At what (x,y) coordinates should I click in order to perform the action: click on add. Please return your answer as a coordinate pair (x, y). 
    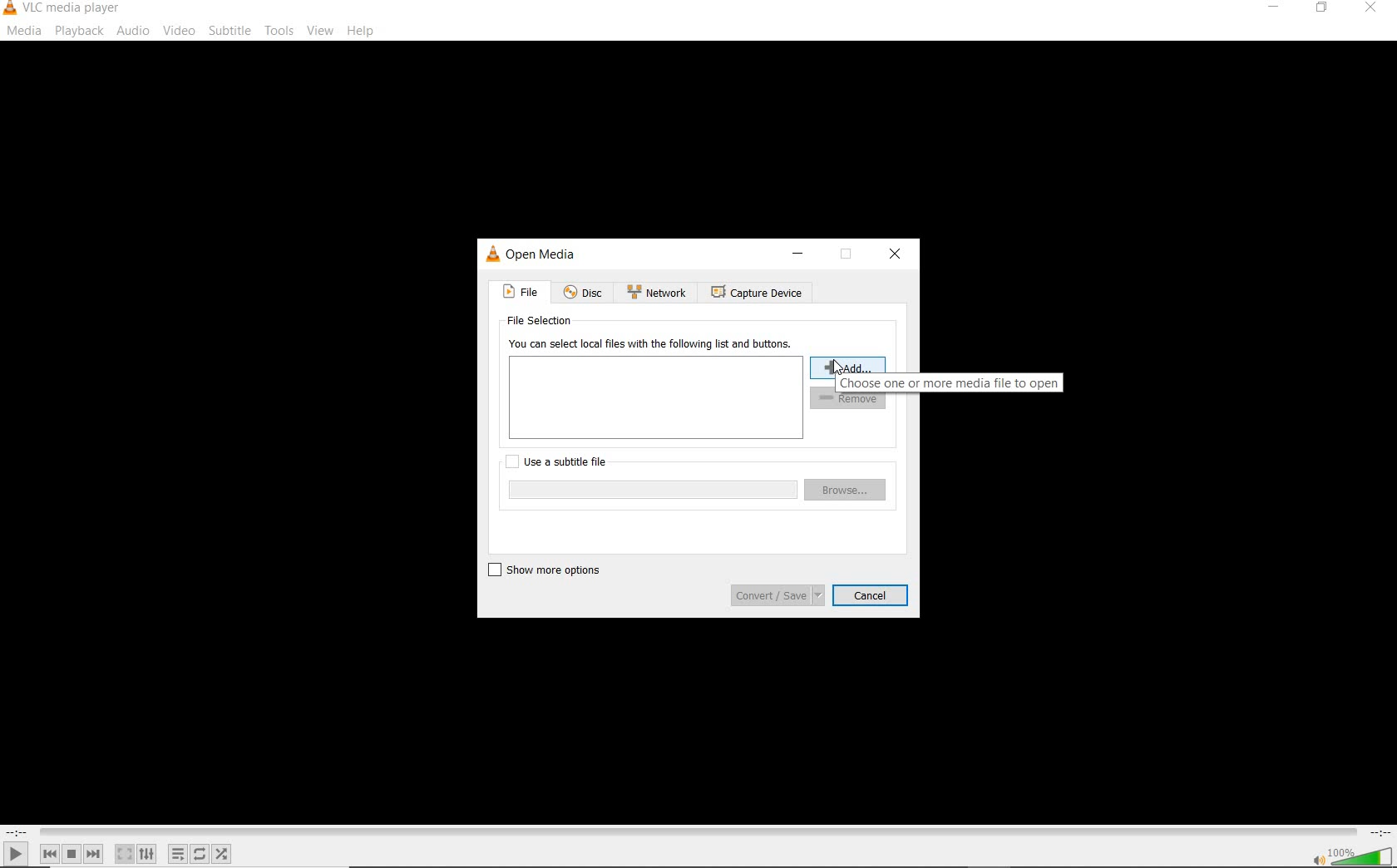
    Looking at the image, I should click on (848, 367).